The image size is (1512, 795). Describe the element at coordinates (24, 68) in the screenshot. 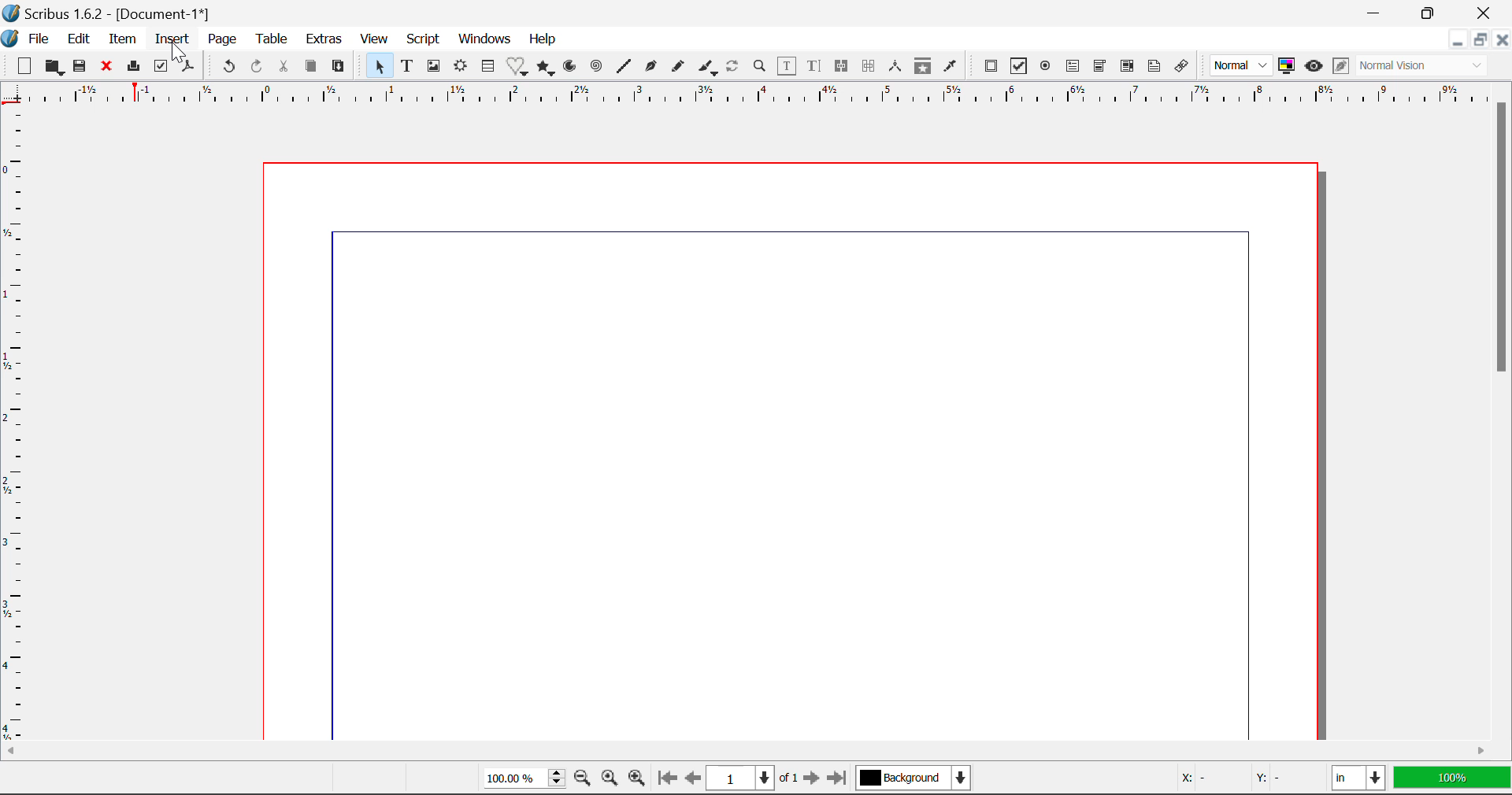

I see `New` at that location.